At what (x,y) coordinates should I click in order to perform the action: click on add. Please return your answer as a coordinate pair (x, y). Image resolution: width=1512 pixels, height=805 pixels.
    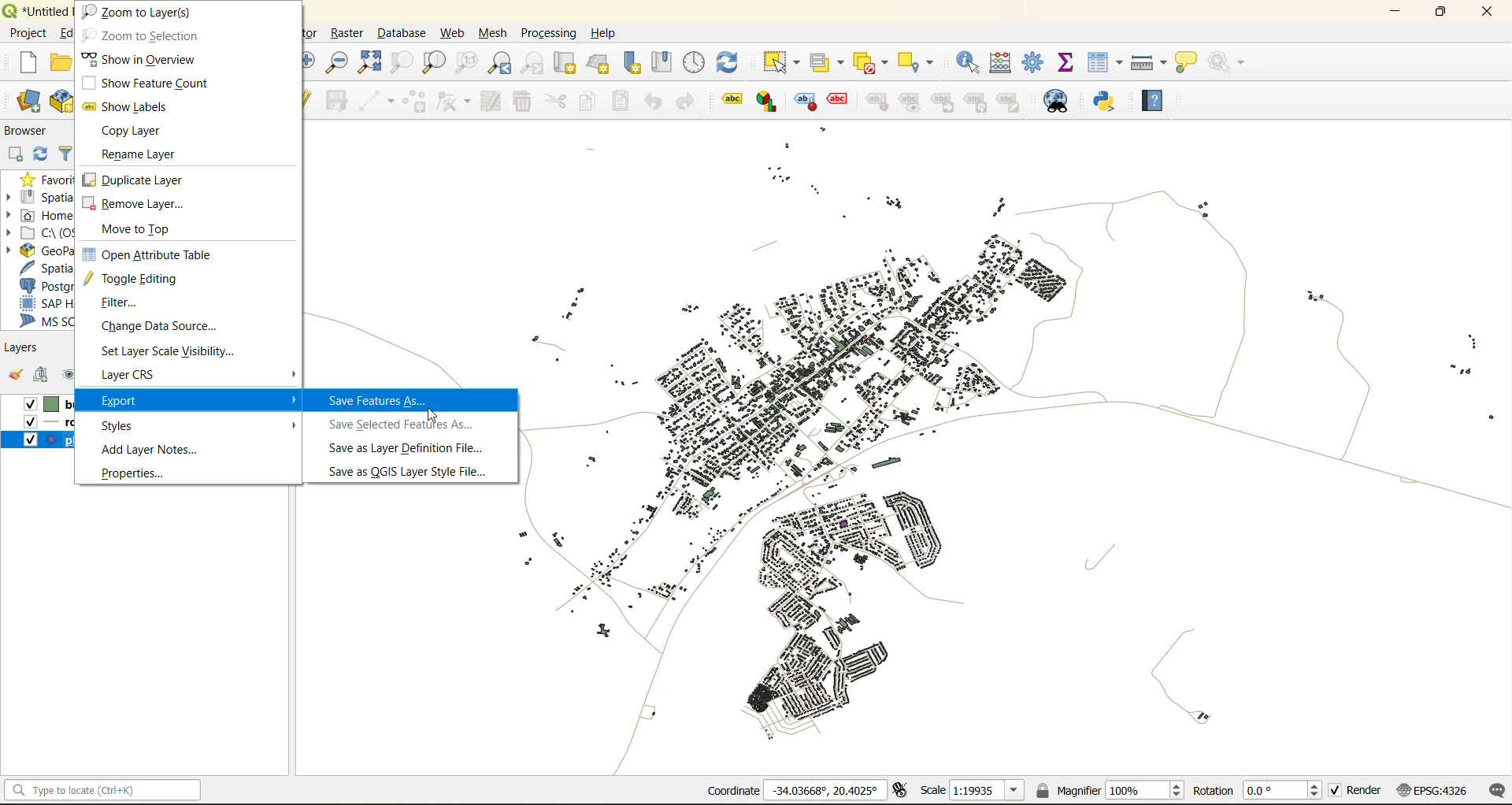
    Looking at the image, I should click on (46, 377).